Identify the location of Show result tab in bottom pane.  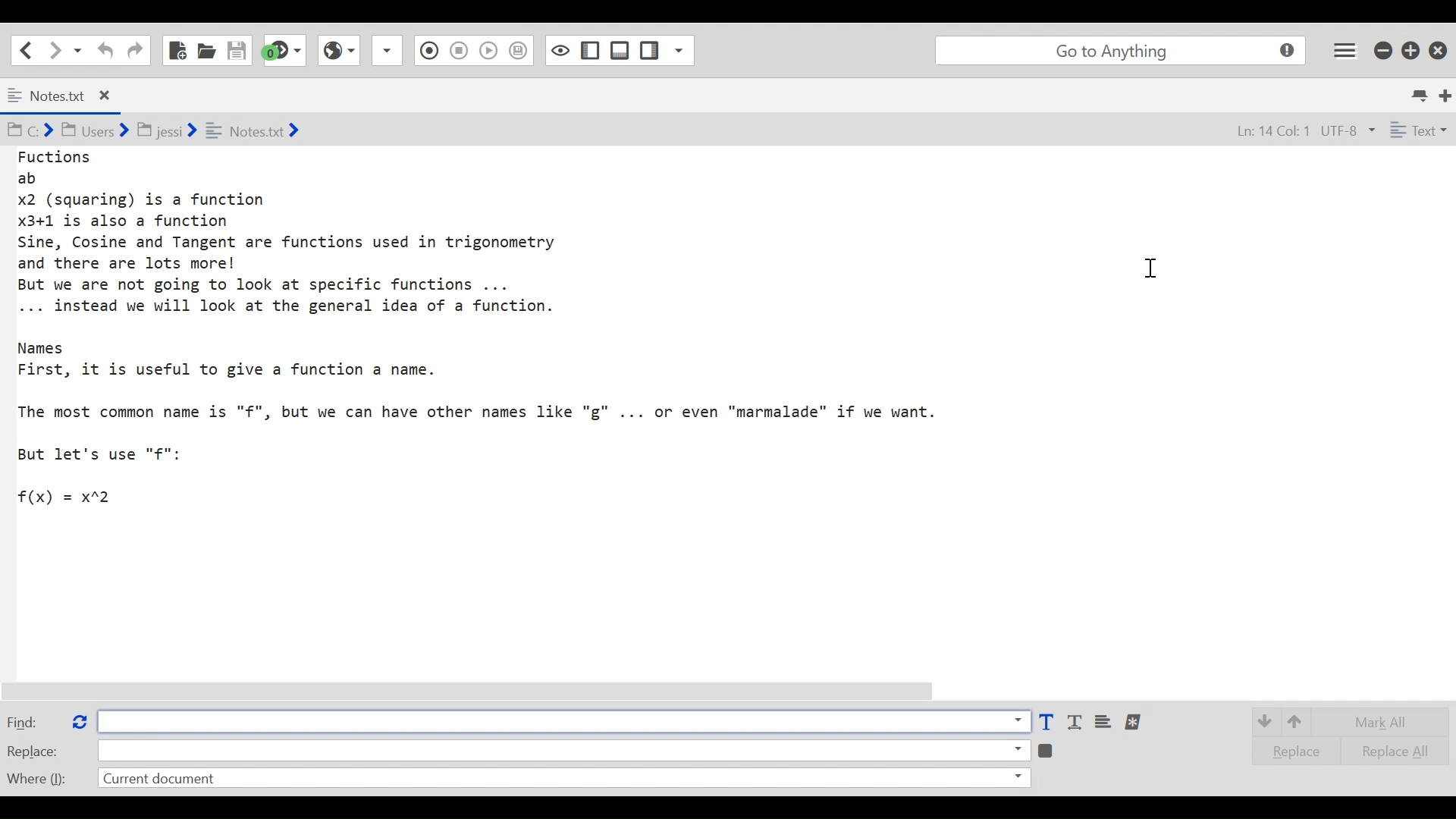
(1048, 749).